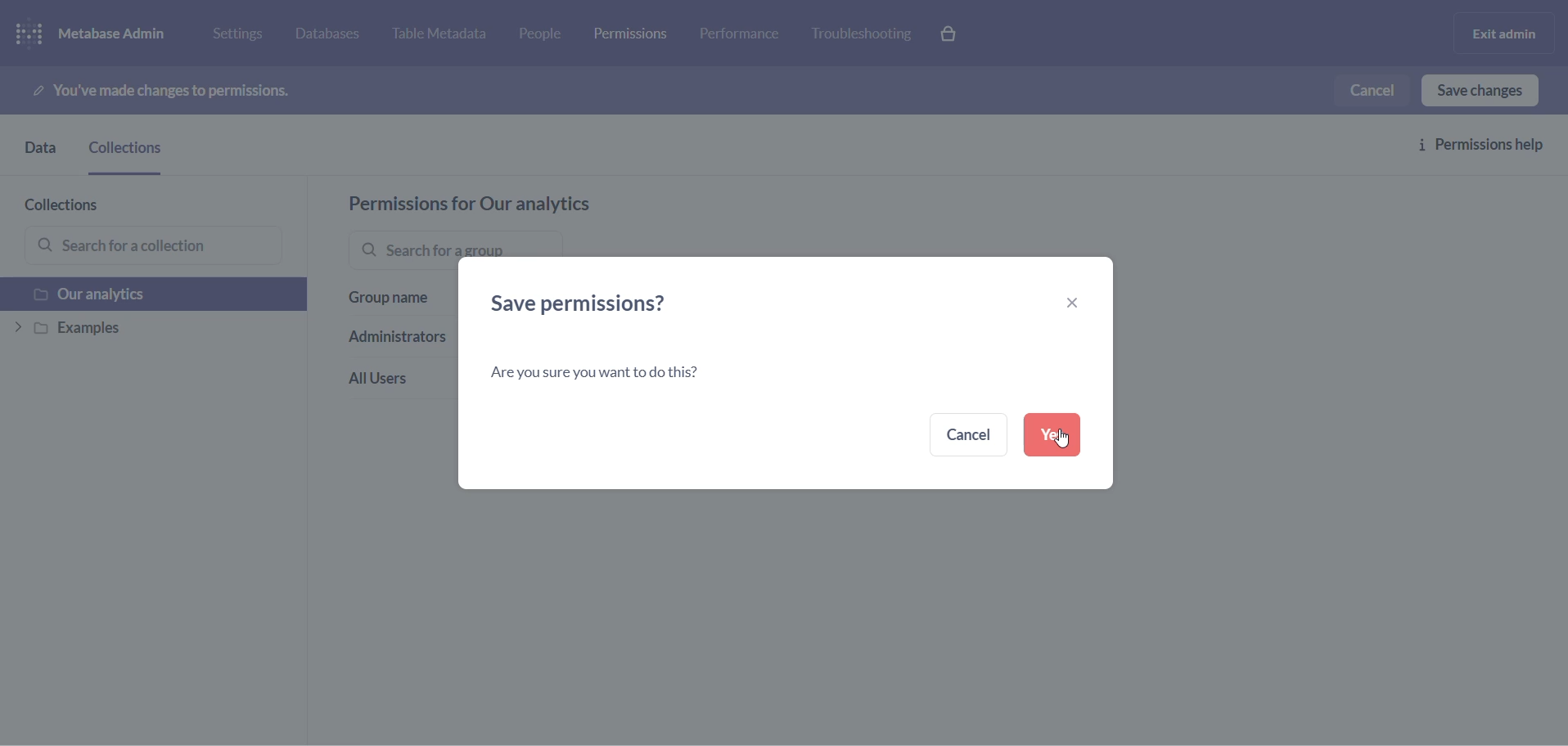 This screenshot has width=1568, height=746. What do you see at coordinates (393, 341) in the screenshot?
I see `administrators group` at bounding box center [393, 341].